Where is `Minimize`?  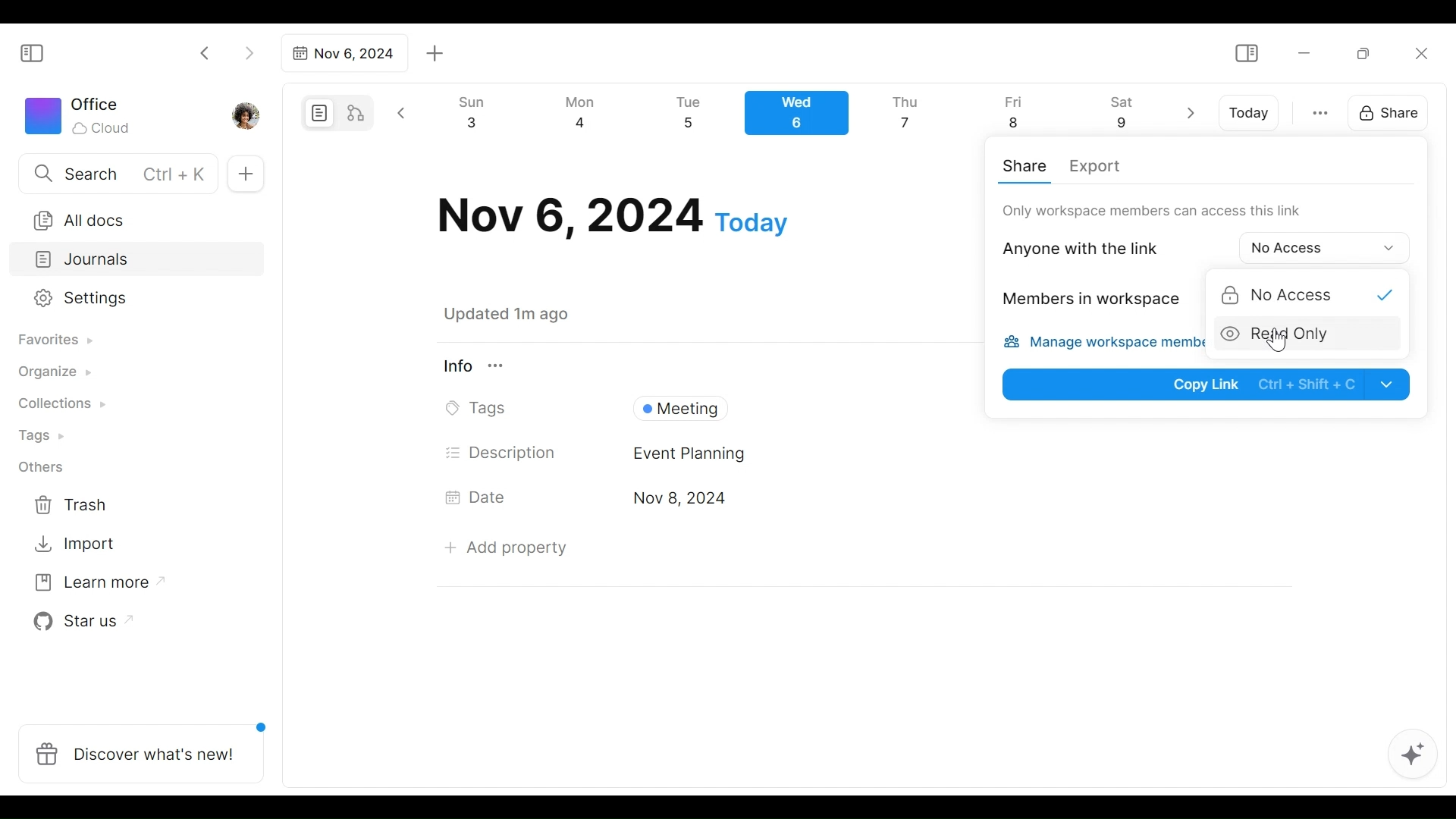
Minimize is located at coordinates (1304, 52).